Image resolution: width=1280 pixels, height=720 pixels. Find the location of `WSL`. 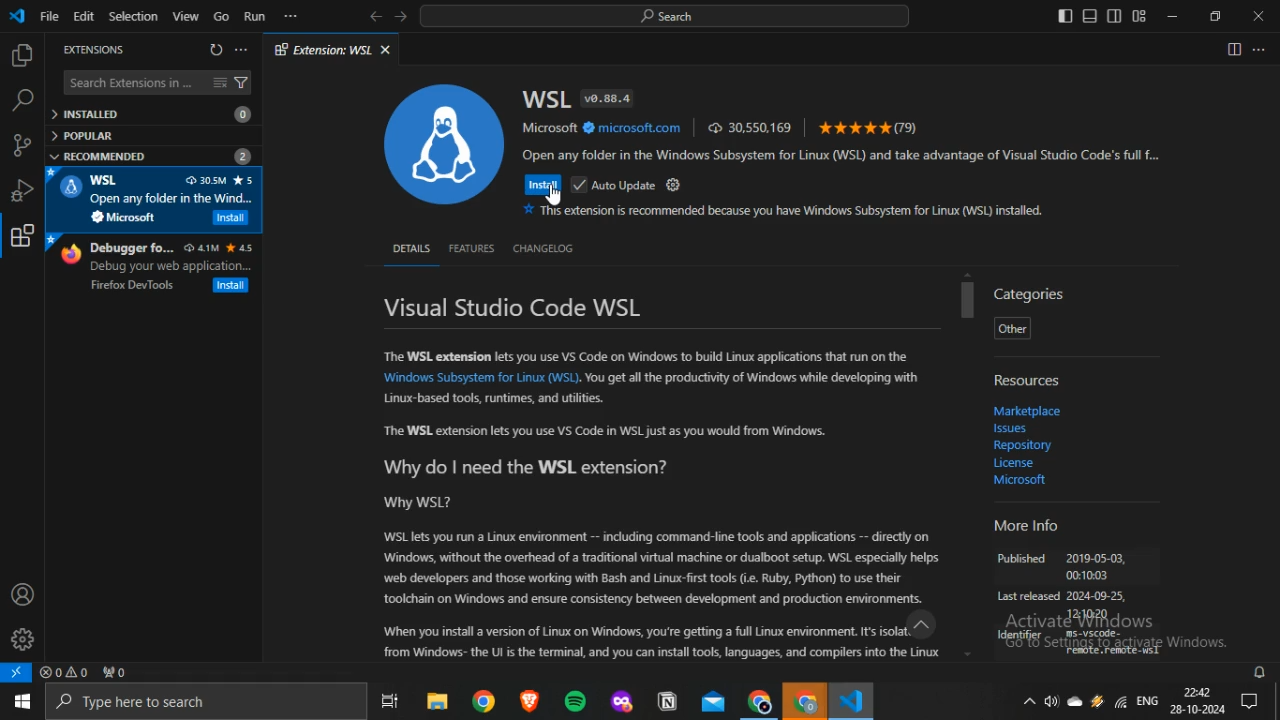

WSL is located at coordinates (104, 180).